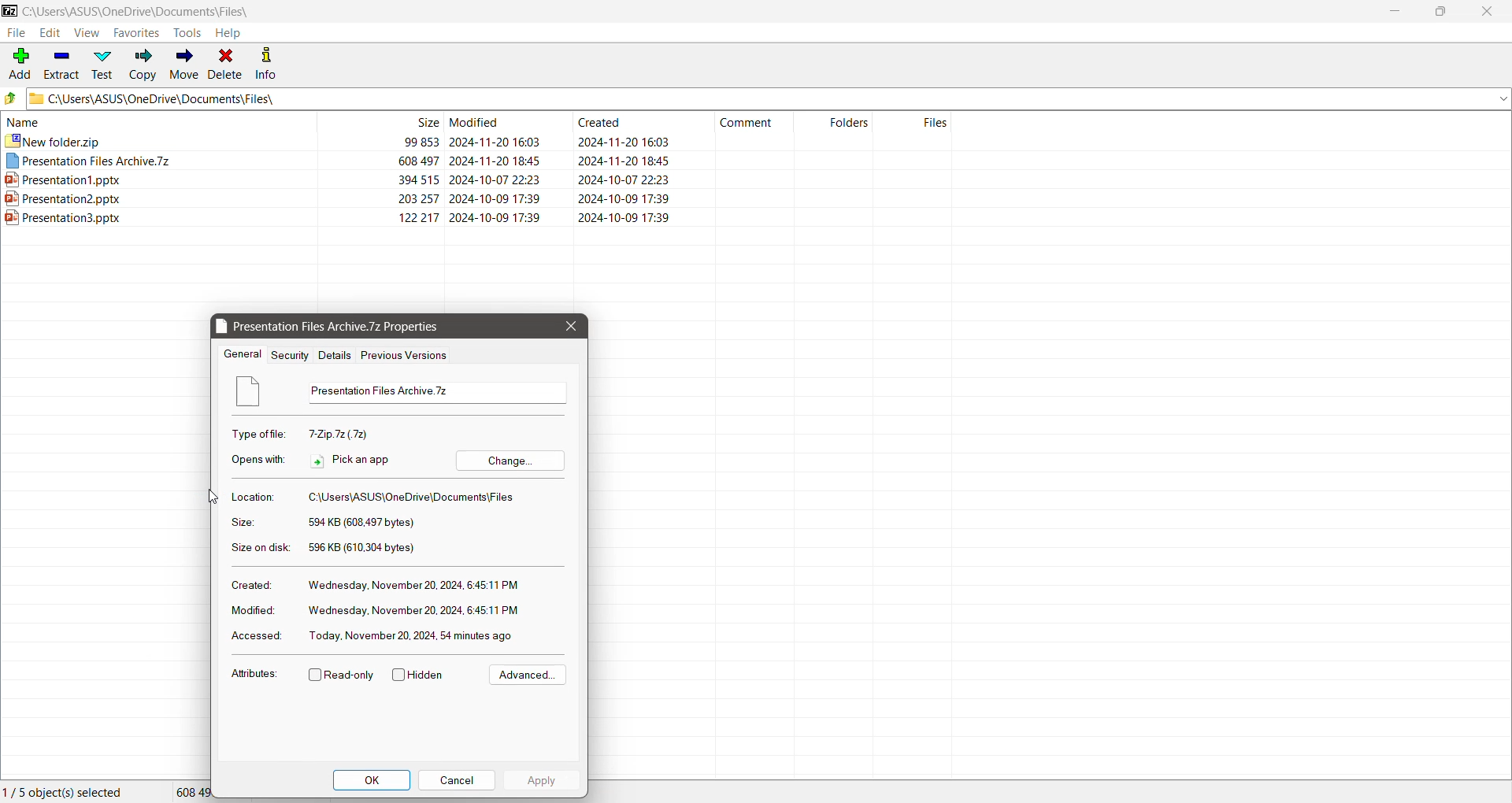  I want to click on Minimize, so click(1395, 11).